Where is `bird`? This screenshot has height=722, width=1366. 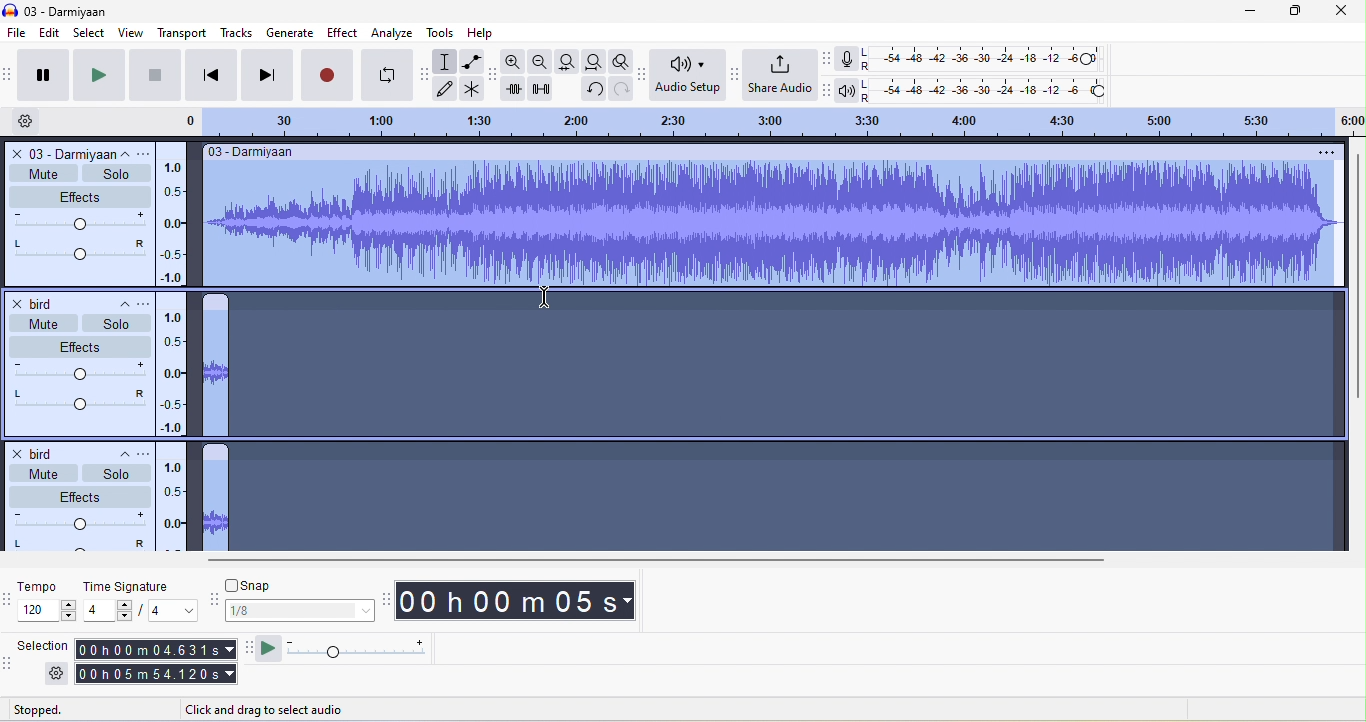
bird is located at coordinates (43, 451).